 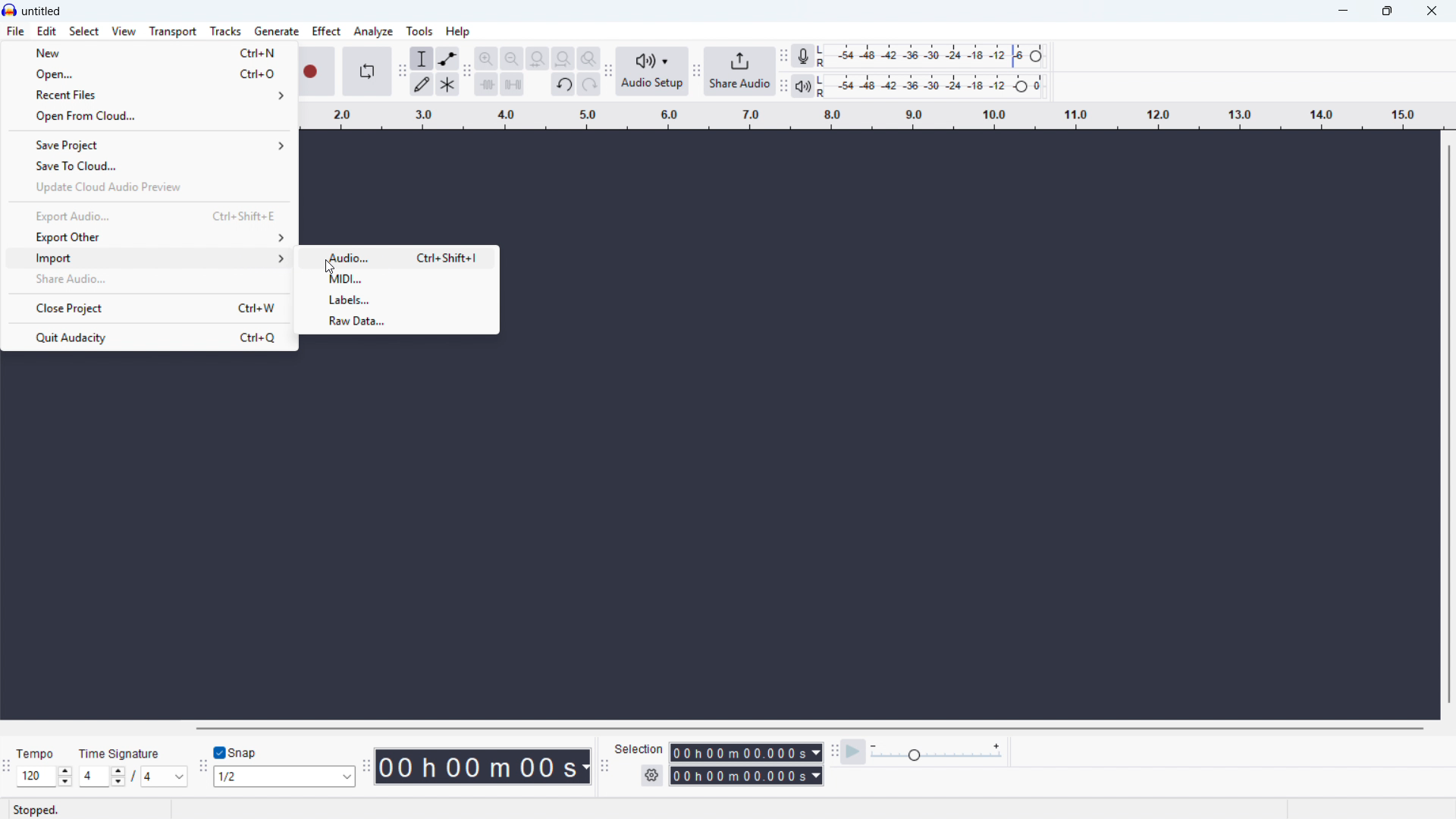 What do you see at coordinates (487, 83) in the screenshot?
I see `Trim audio outside selection ` at bounding box center [487, 83].